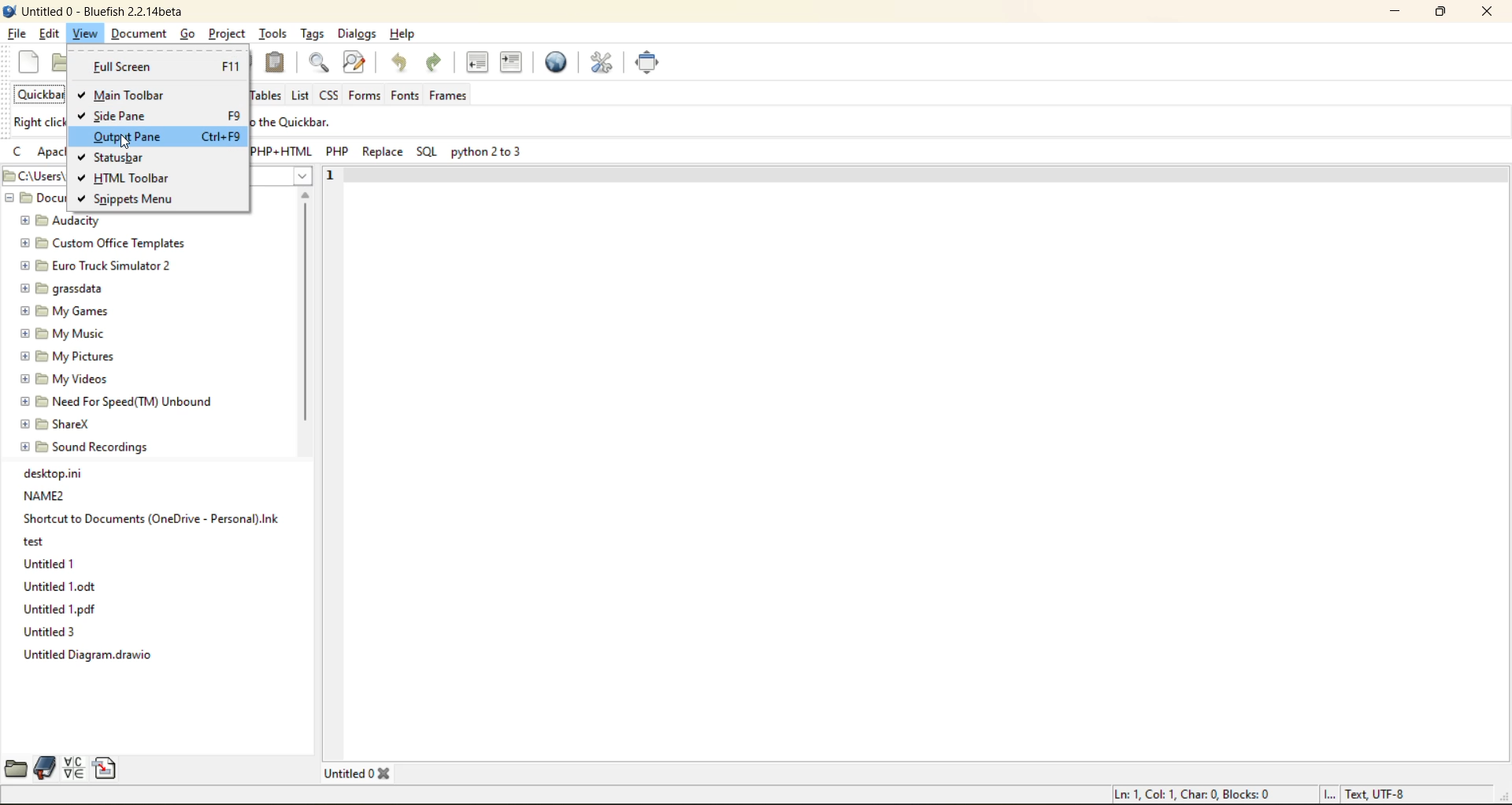  I want to click on minimize, so click(1402, 14).